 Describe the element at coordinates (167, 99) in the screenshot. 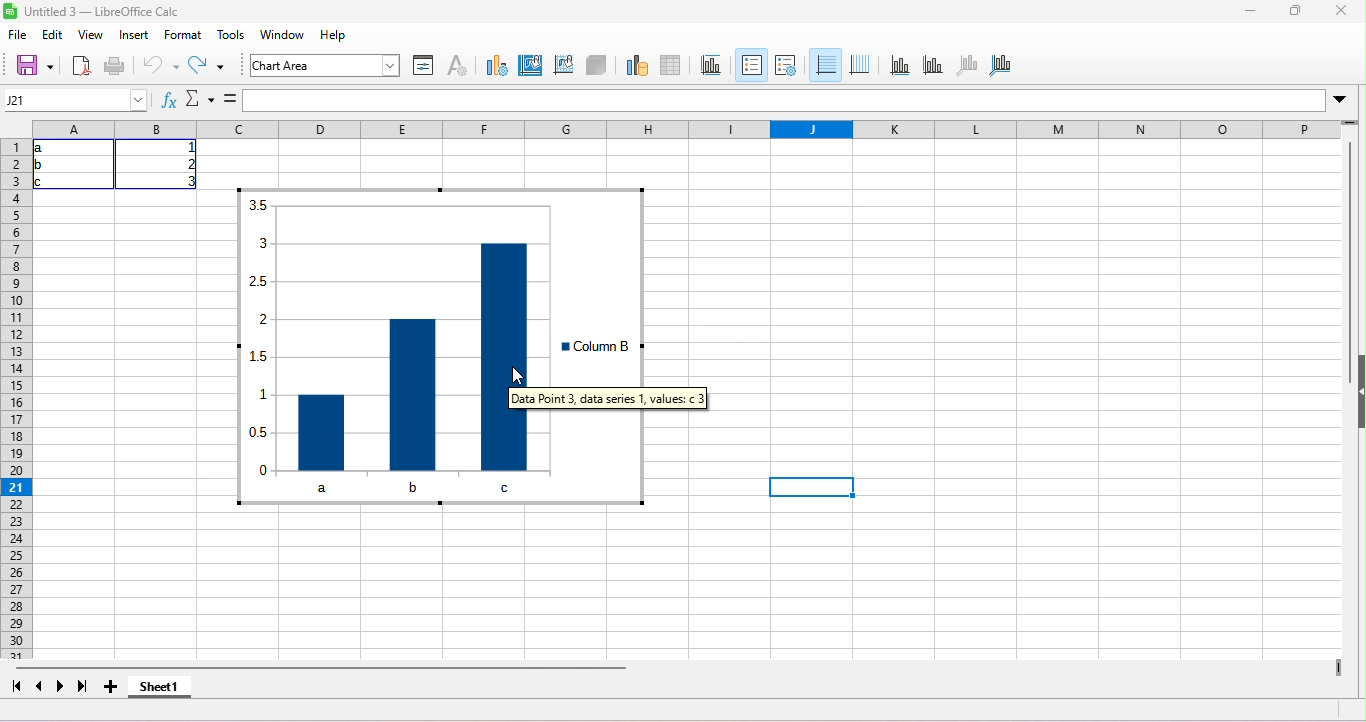

I see `functions wizerd` at that location.